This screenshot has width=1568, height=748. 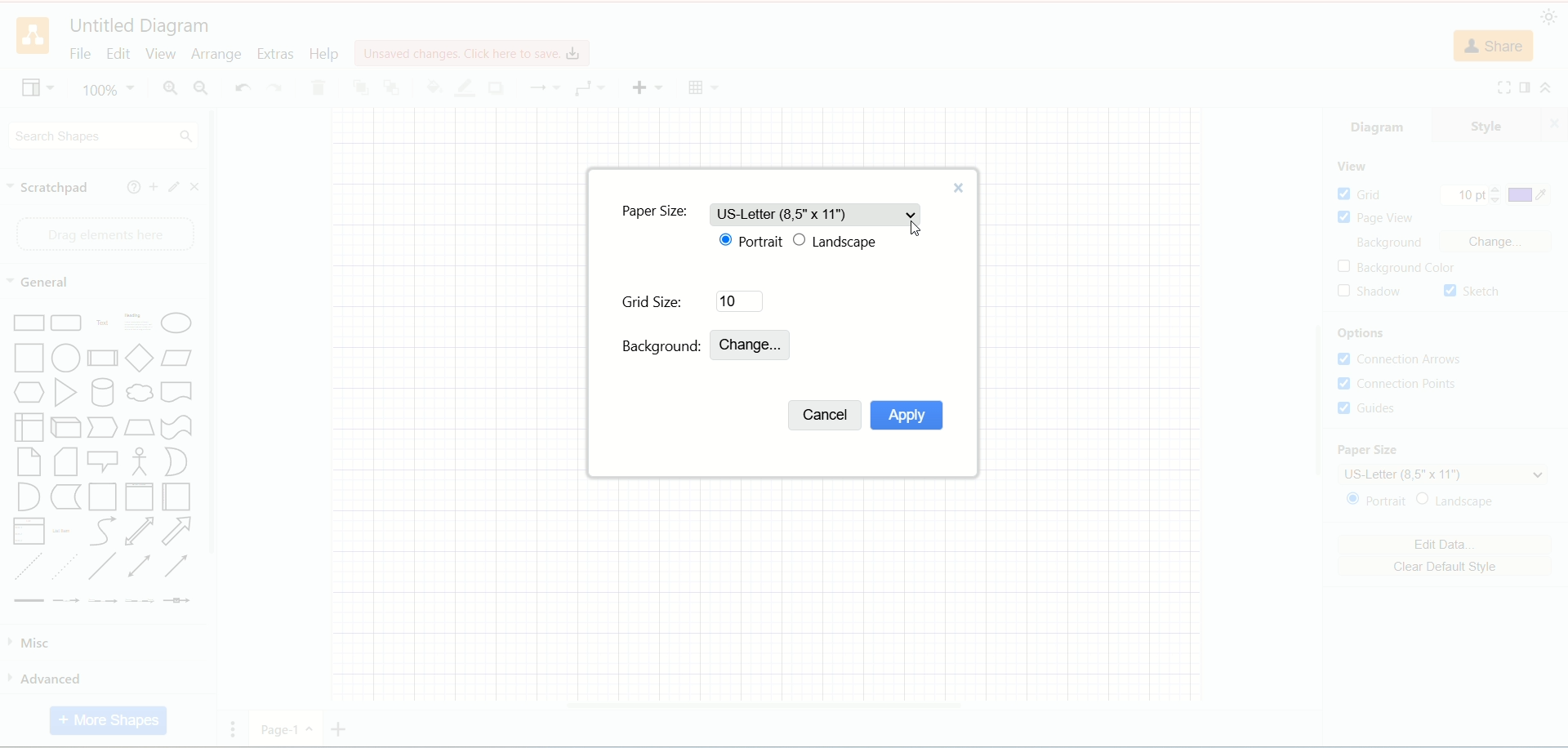 I want to click on grid size, so click(x=653, y=302).